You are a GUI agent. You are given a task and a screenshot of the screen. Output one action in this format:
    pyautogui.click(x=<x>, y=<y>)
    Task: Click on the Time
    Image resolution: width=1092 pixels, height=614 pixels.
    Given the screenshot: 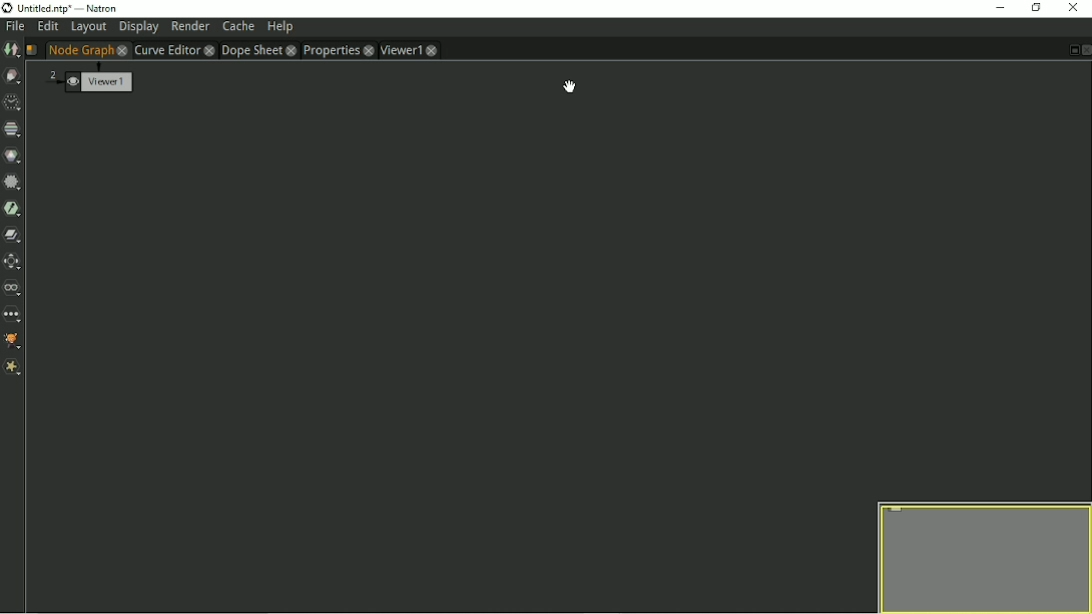 What is the action you would take?
    pyautogui.click(x=12, y=103)
    